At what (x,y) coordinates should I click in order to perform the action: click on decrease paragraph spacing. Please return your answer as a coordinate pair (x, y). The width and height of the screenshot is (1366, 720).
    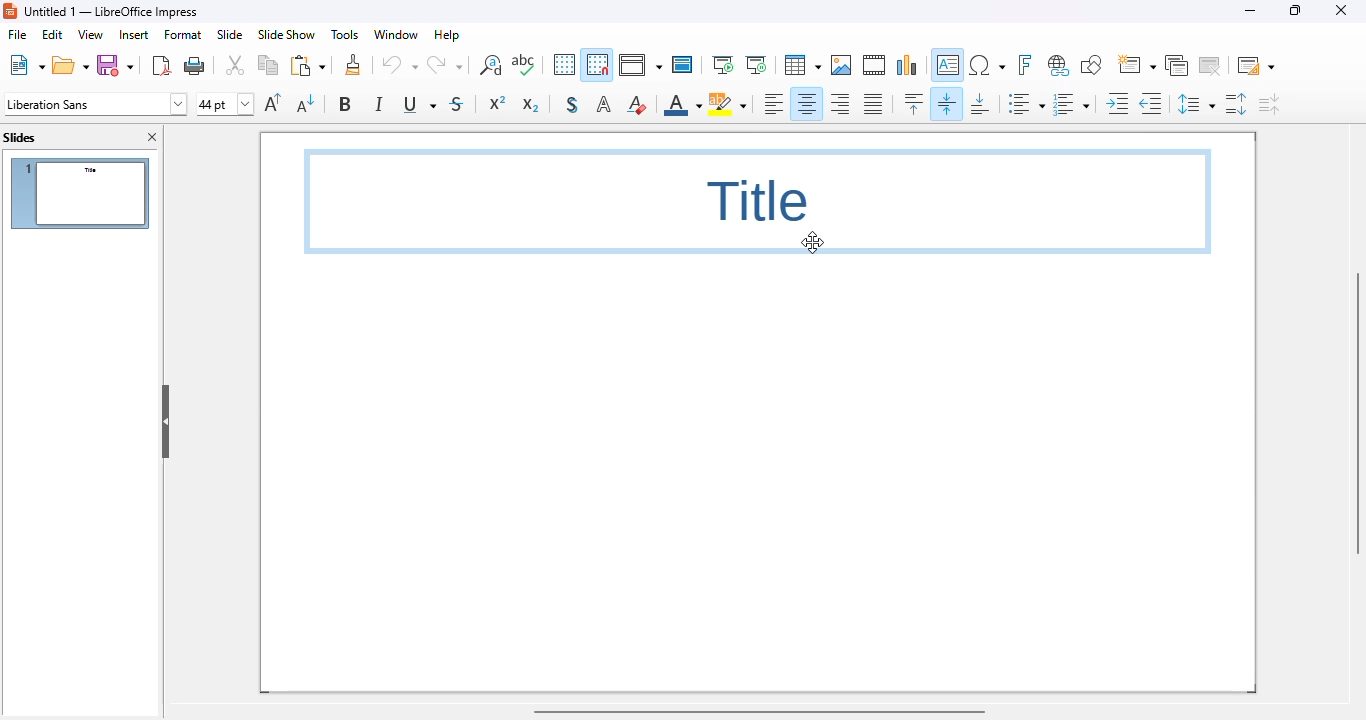
    Looking at the image, I should click on (1270, 104).